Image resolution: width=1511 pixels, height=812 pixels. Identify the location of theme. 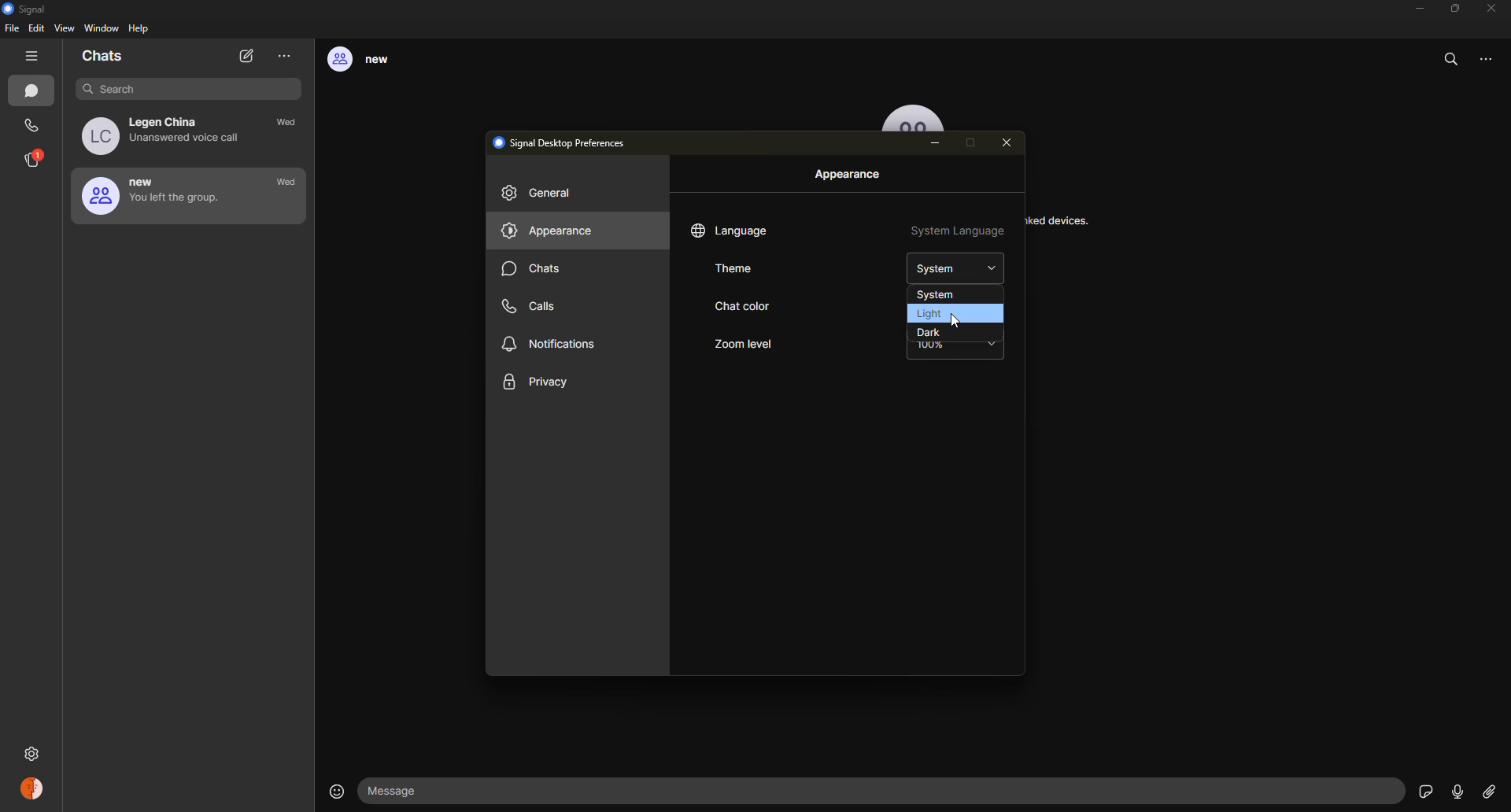
(741, 269).